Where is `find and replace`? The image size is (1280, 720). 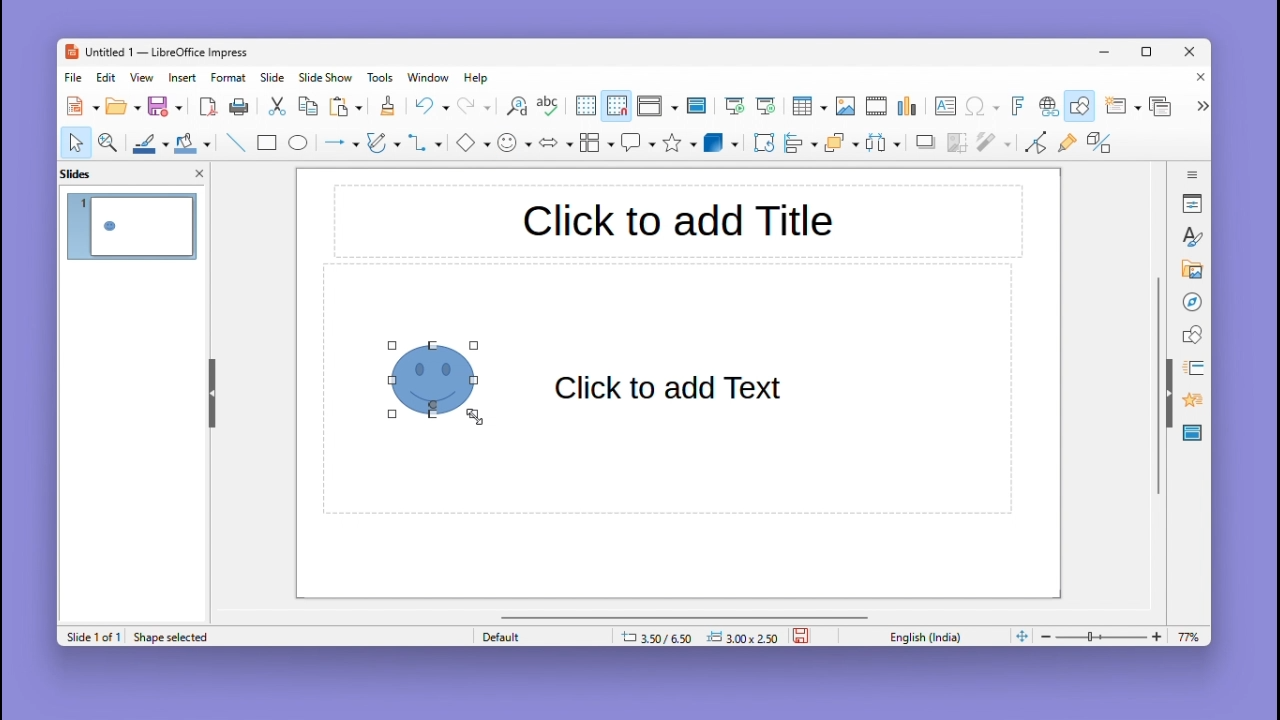
find and replace is located at coordinates (515, 106).